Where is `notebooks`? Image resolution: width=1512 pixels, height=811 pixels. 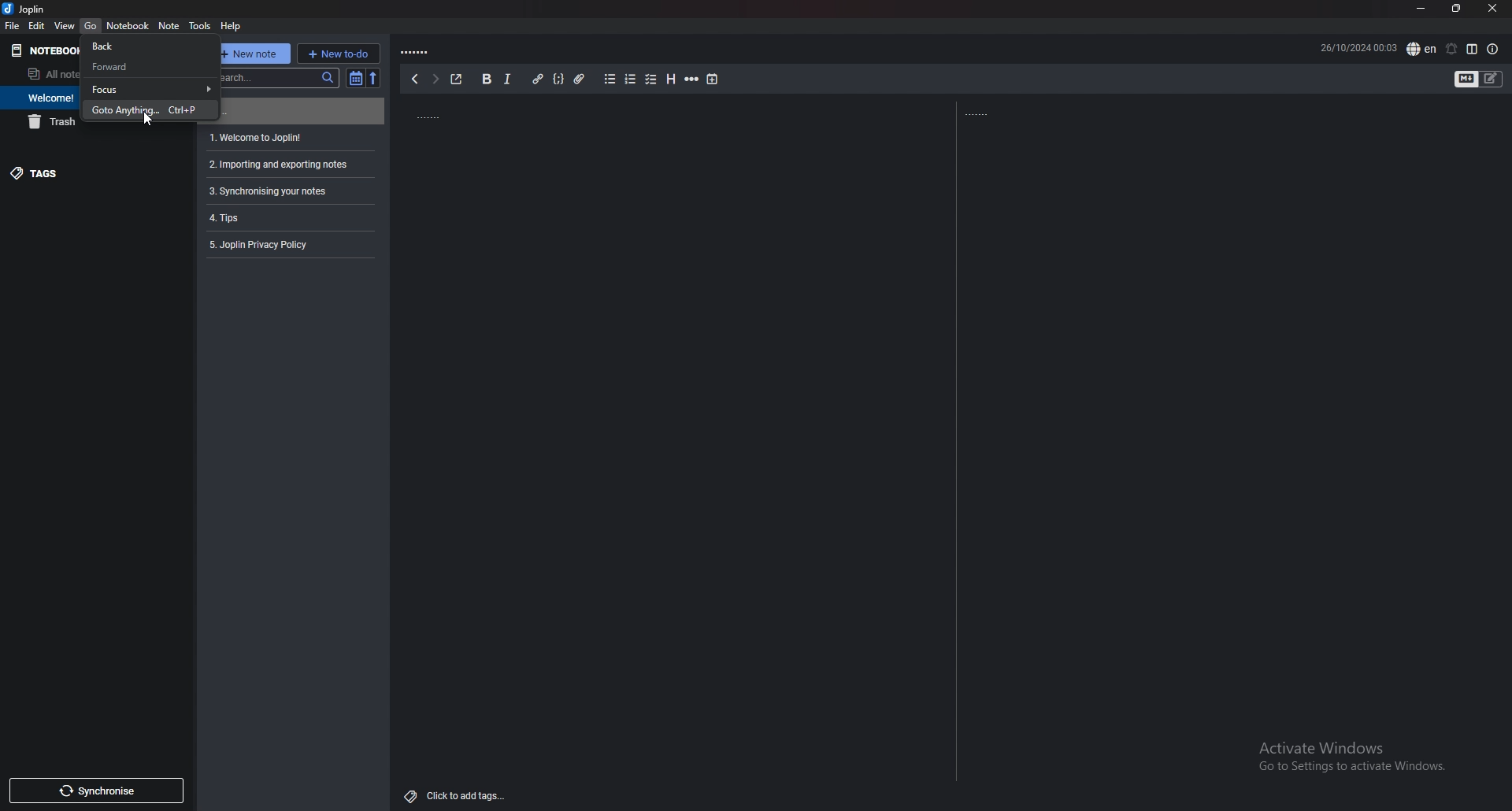 notebooks is located at coordinates (41, 50).